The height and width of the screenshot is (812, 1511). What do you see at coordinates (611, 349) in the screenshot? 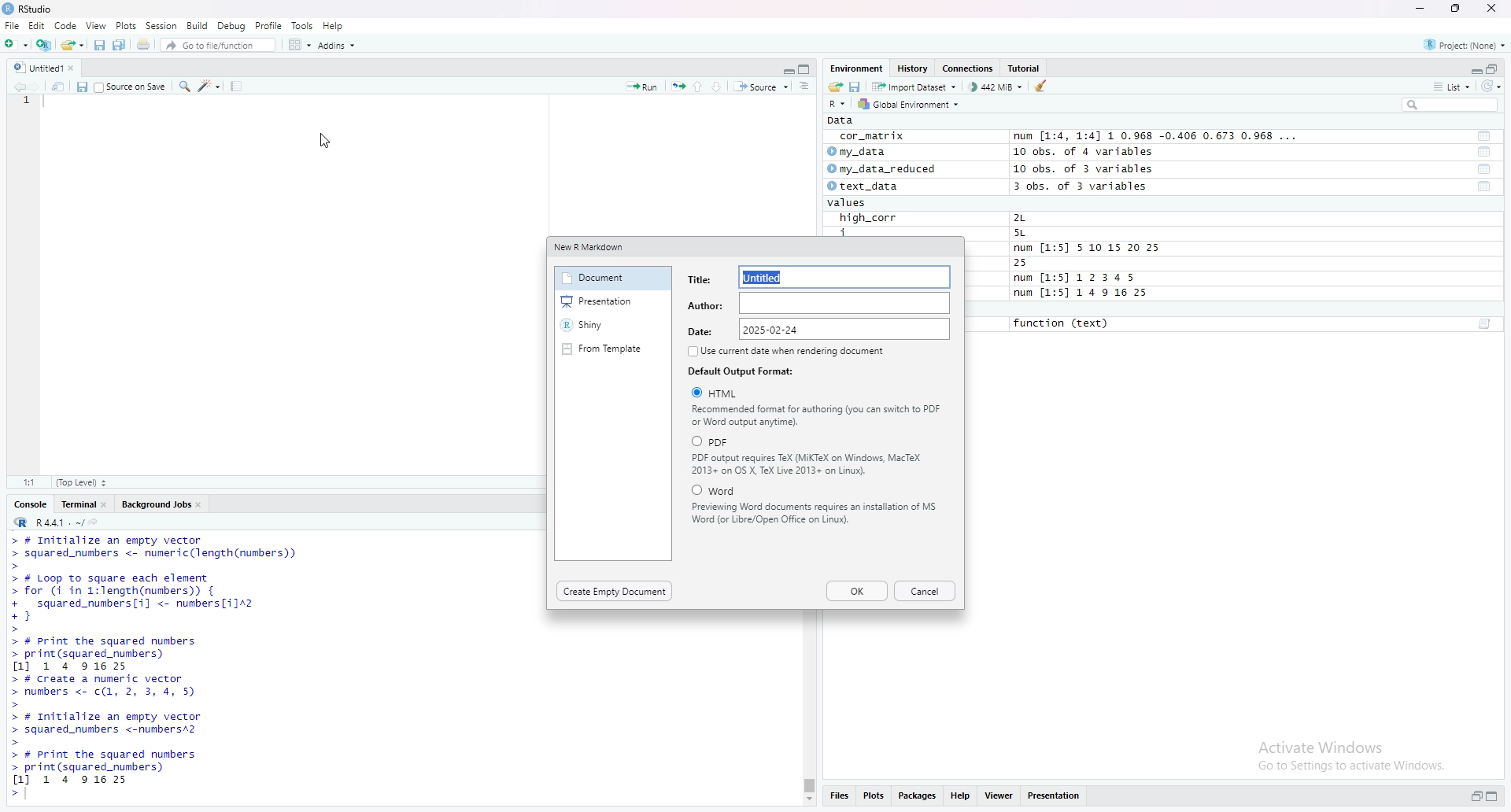
I see `From Template` at bounding box center [611, 349].